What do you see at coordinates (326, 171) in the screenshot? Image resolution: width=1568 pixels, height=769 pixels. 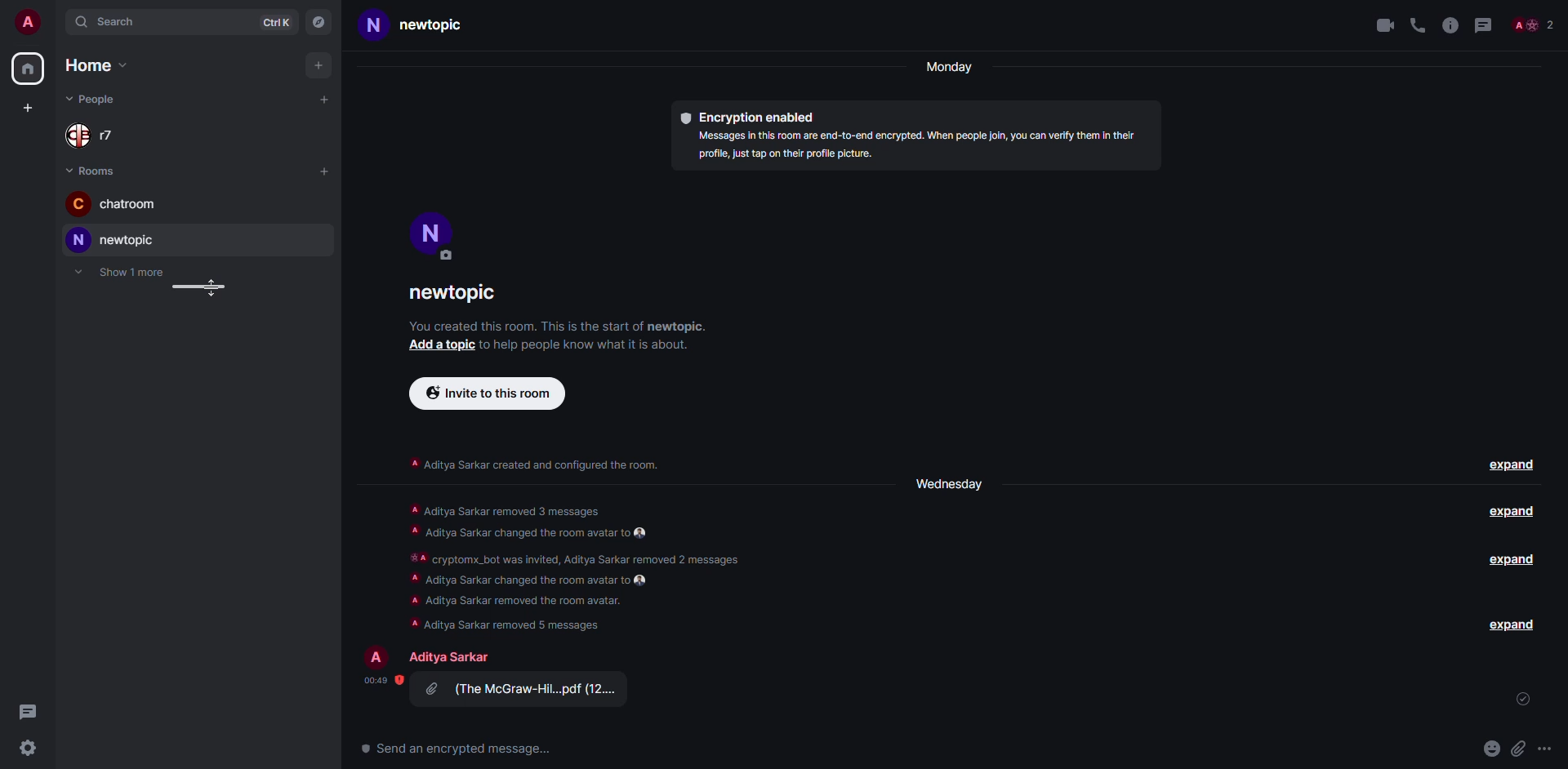 I see `add` at bounding box center [326, 171].